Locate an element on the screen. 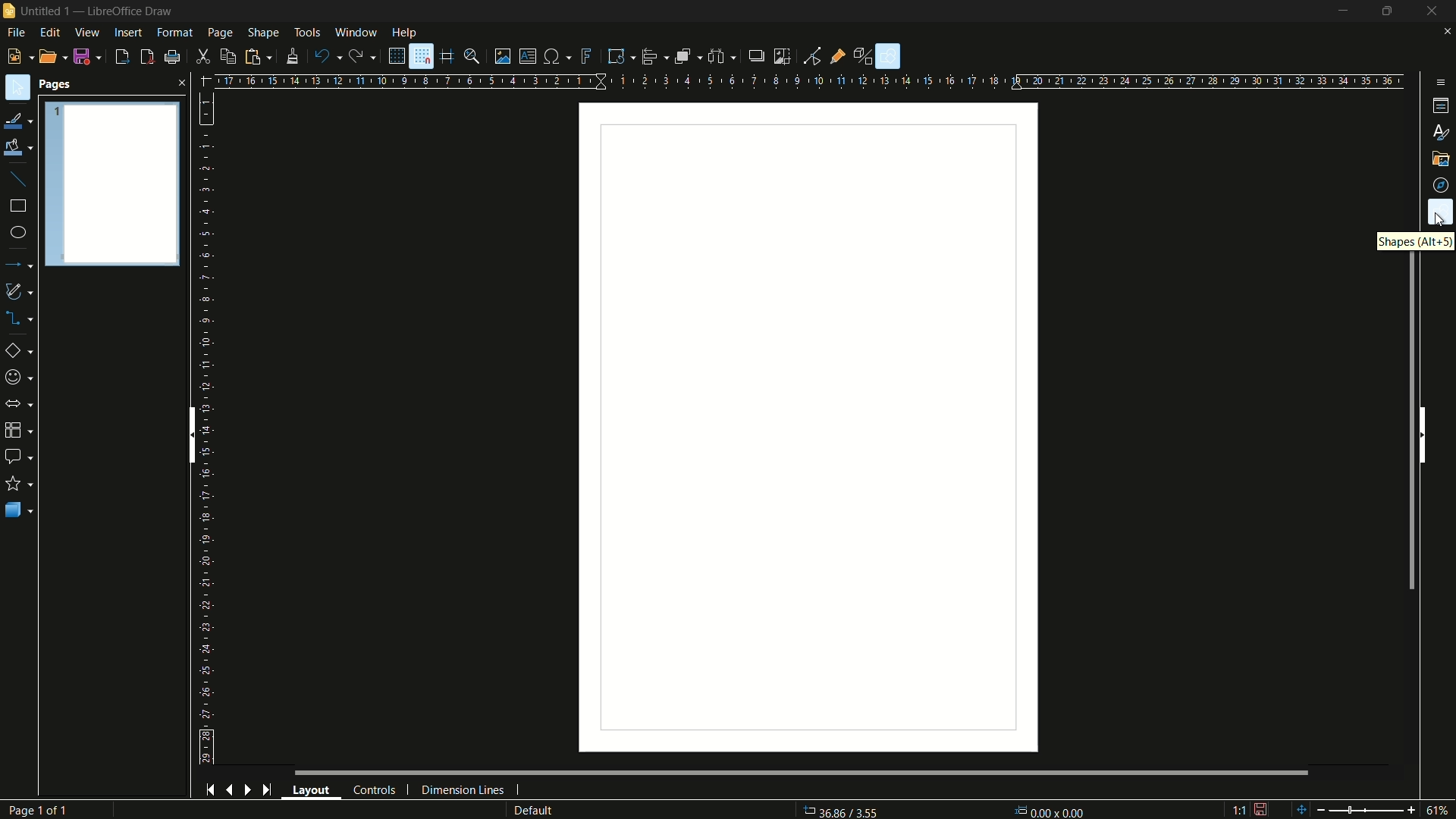 This screenshot has width=1456, height=819. window menu is located at coordinates (355, 32).